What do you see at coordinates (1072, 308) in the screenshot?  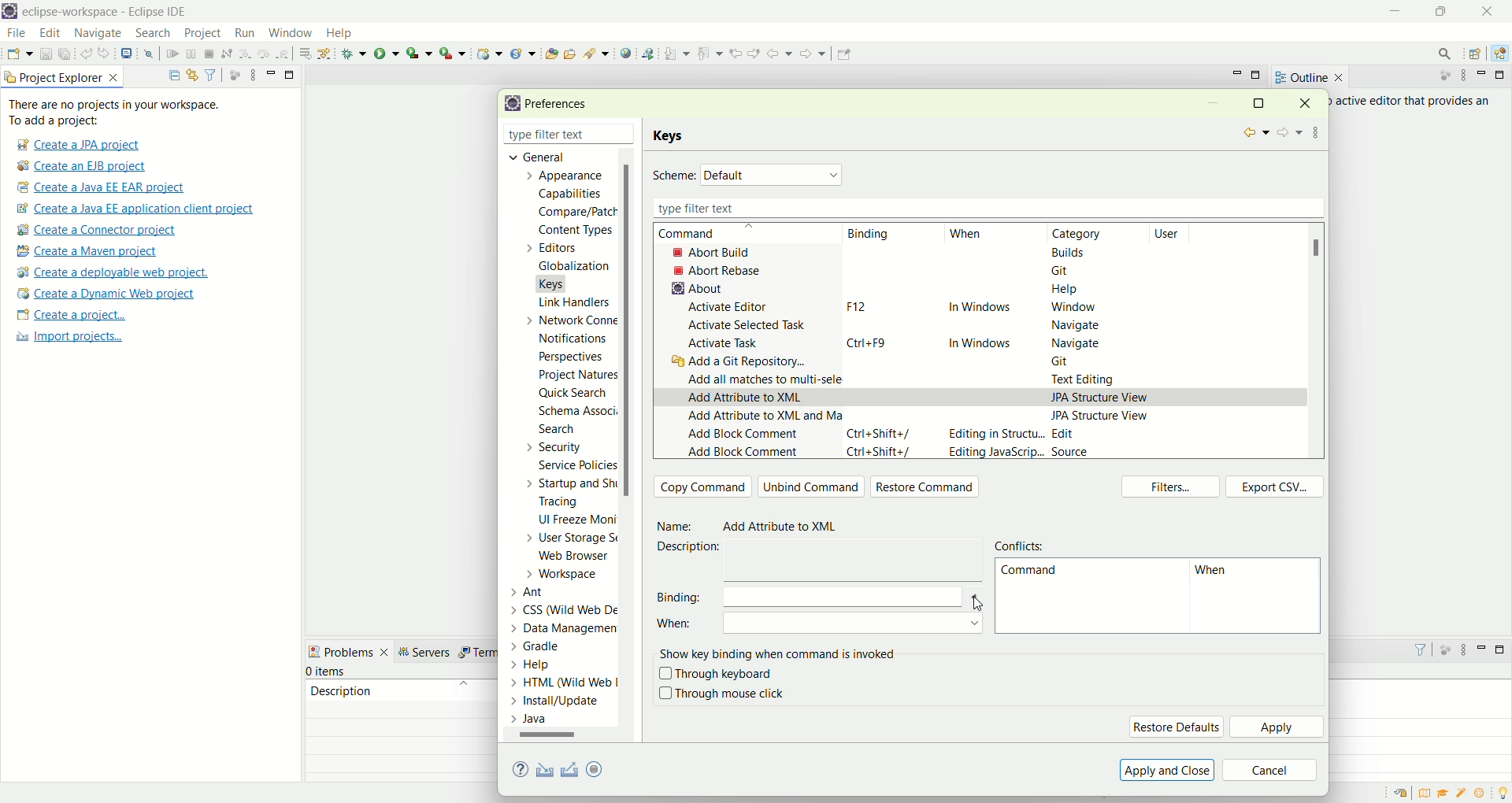 I see `window` at bounding box center [1072, 308].